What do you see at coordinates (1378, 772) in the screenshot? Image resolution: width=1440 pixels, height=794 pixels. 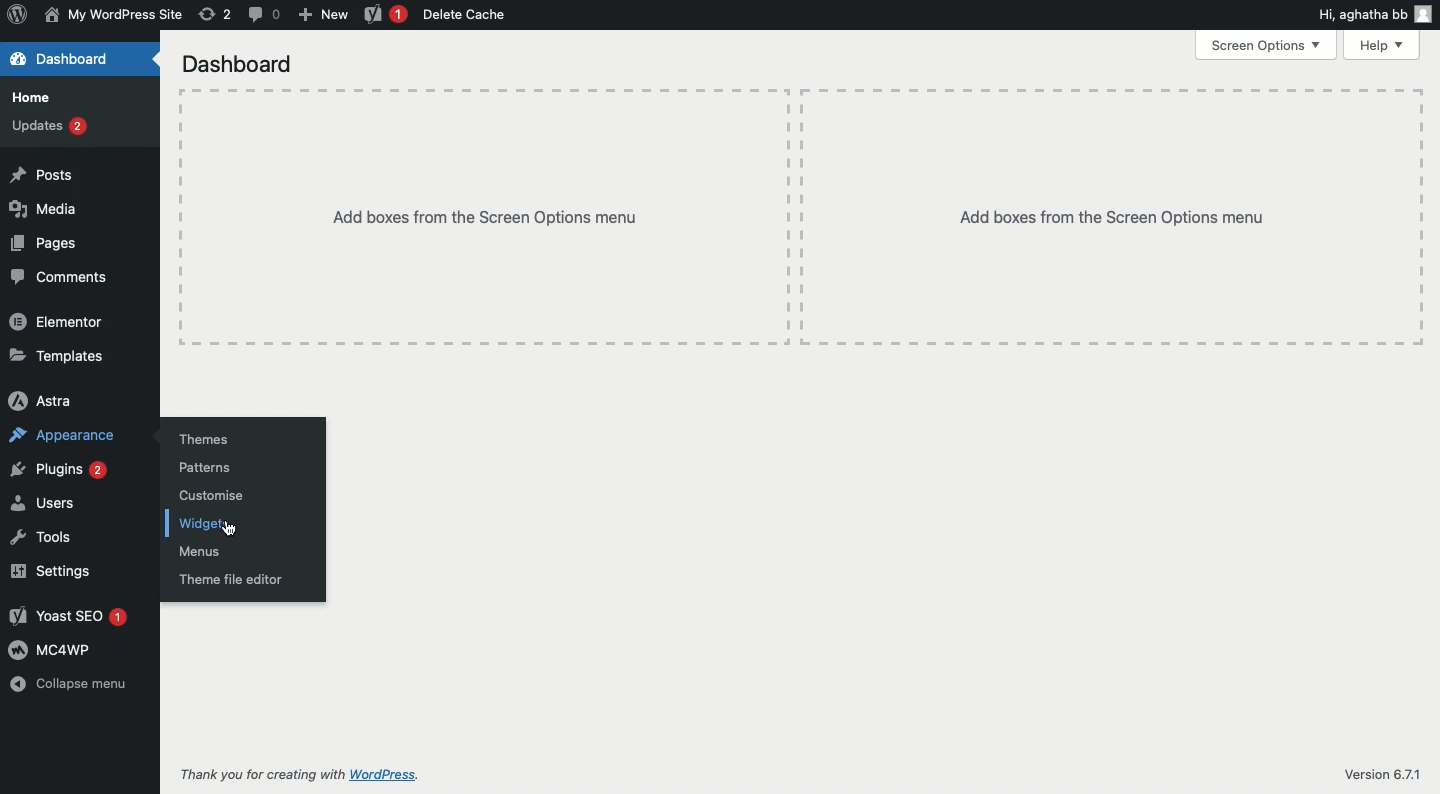 I see `Version 6.7.1` at bounding box center [1378, 772].